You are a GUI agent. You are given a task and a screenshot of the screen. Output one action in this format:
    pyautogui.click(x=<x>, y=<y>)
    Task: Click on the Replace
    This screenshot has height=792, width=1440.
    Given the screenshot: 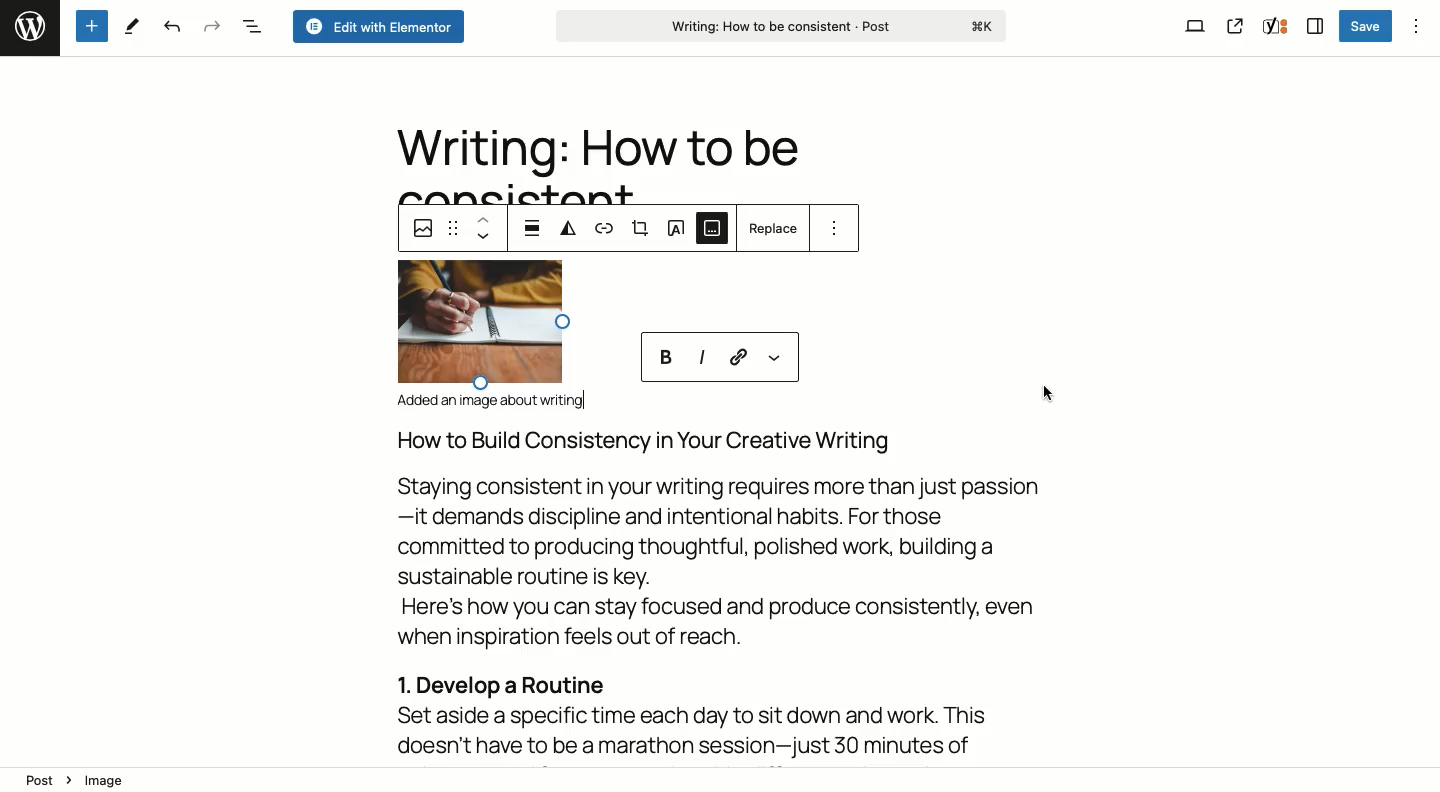 What is the action you would take?
    pyautogui.click(x=774, y=228)
    